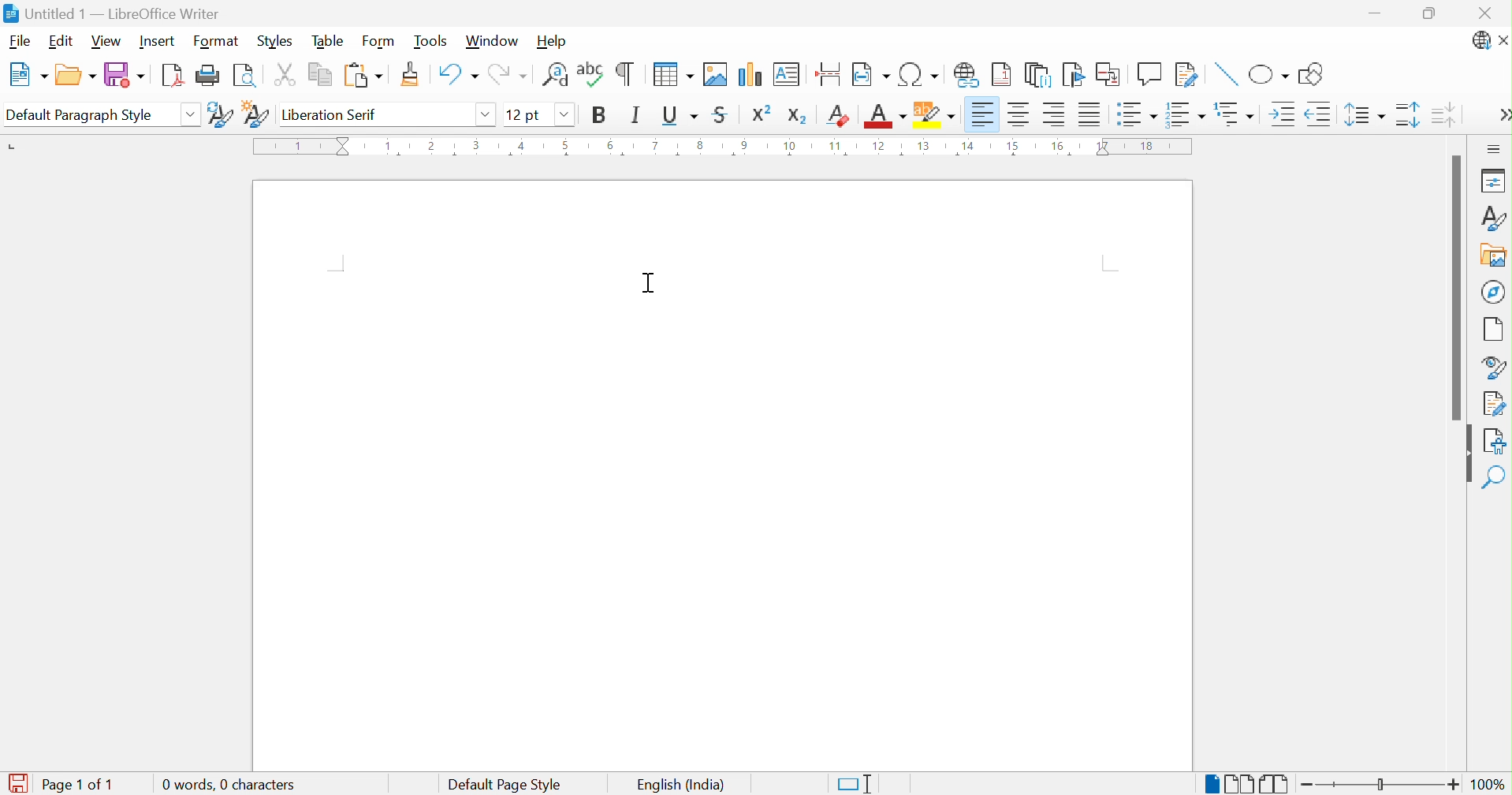 The height and width of the screenshot is (795, 1512). Describe the element at coordinates (920, 74) in the screenshot. I see `Insert special characters` at that location.